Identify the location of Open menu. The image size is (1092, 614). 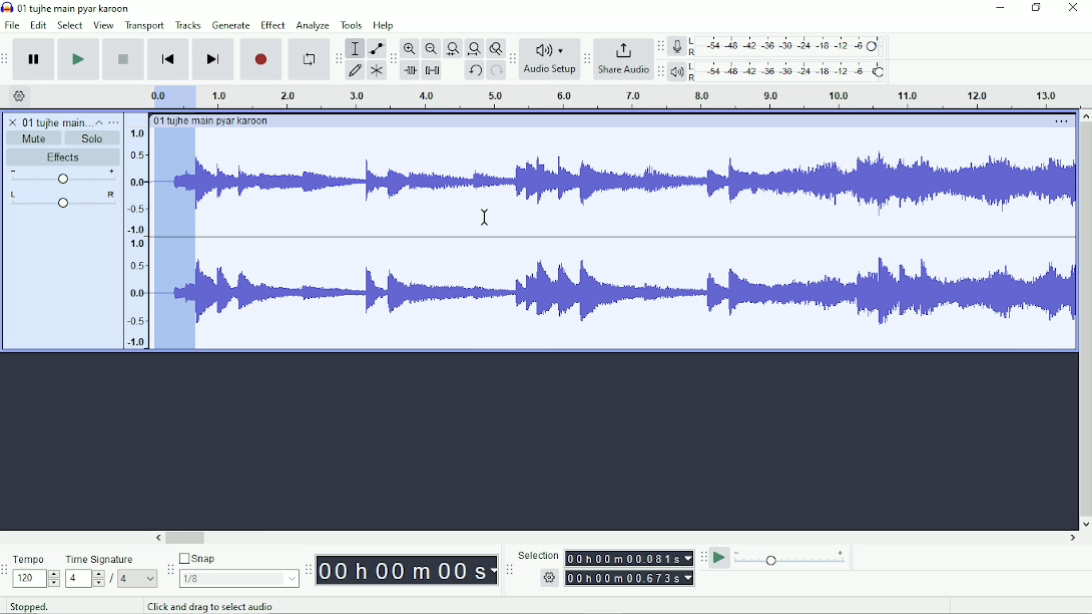
(114, 122).